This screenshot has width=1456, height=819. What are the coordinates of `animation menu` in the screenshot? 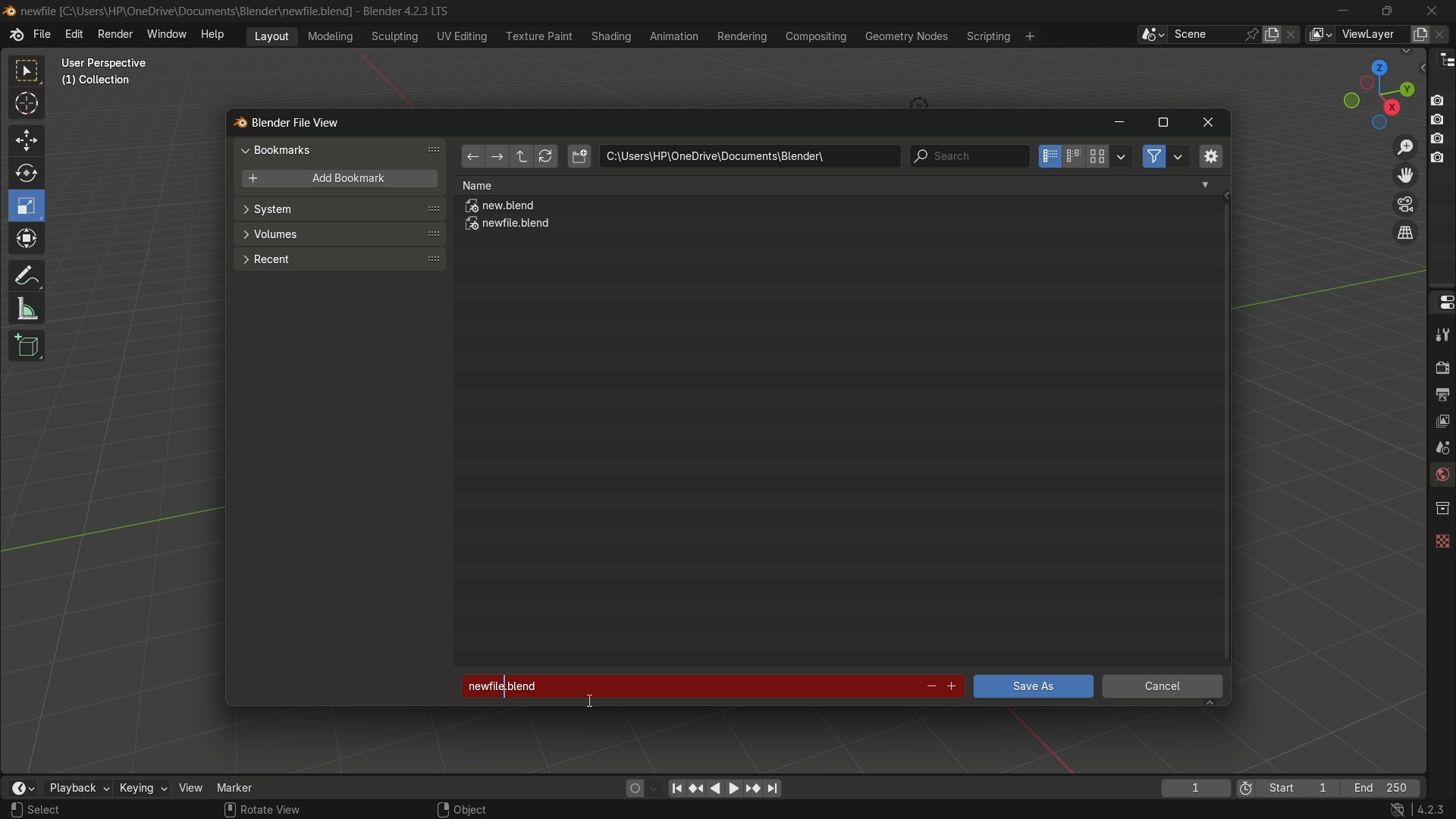 It's located at (674, 36).